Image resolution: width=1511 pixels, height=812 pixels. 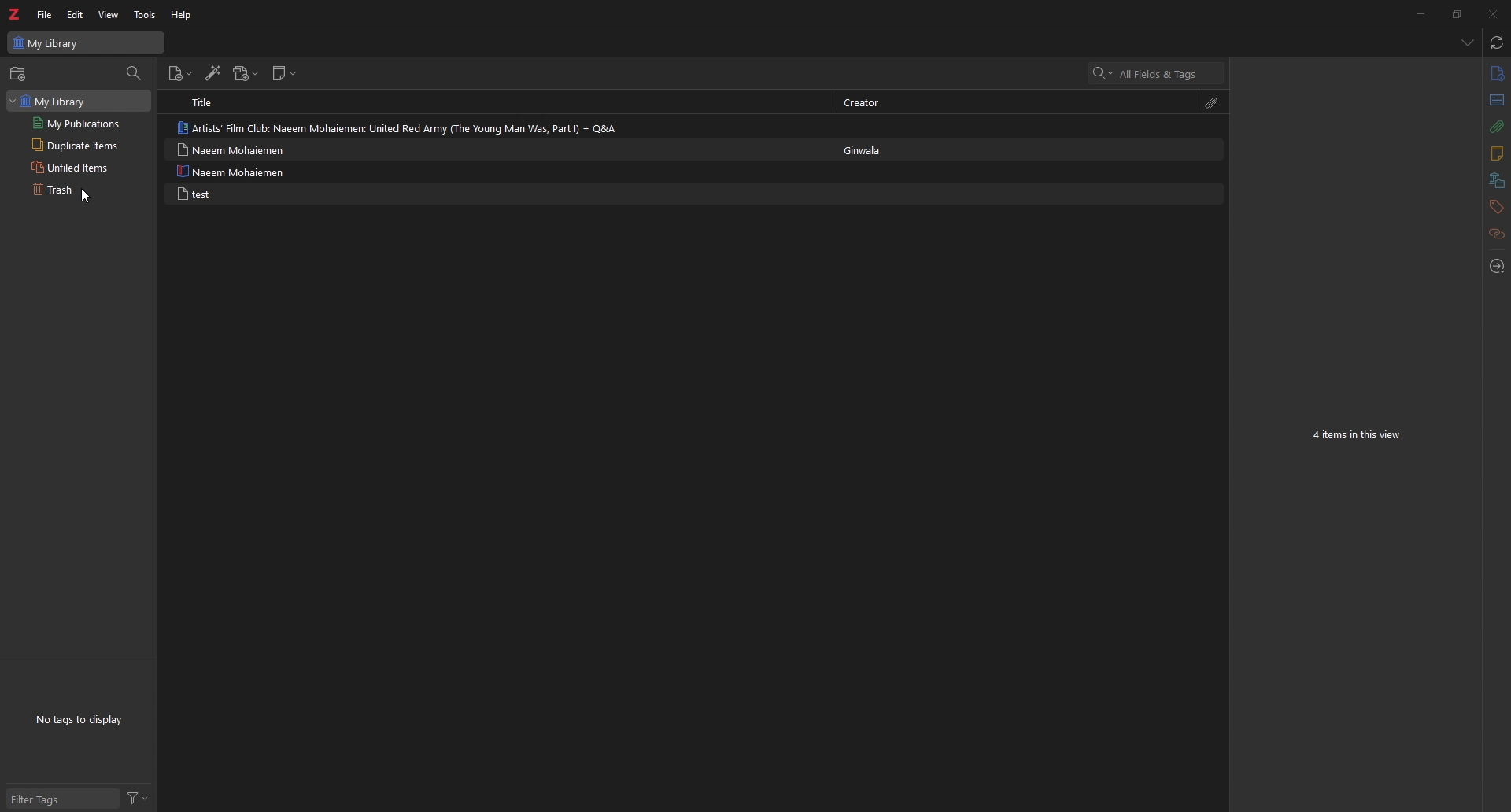 What do you see at coordinates (214, 102) in the screenshot?
I see `title` at bounding box center [214, 102].